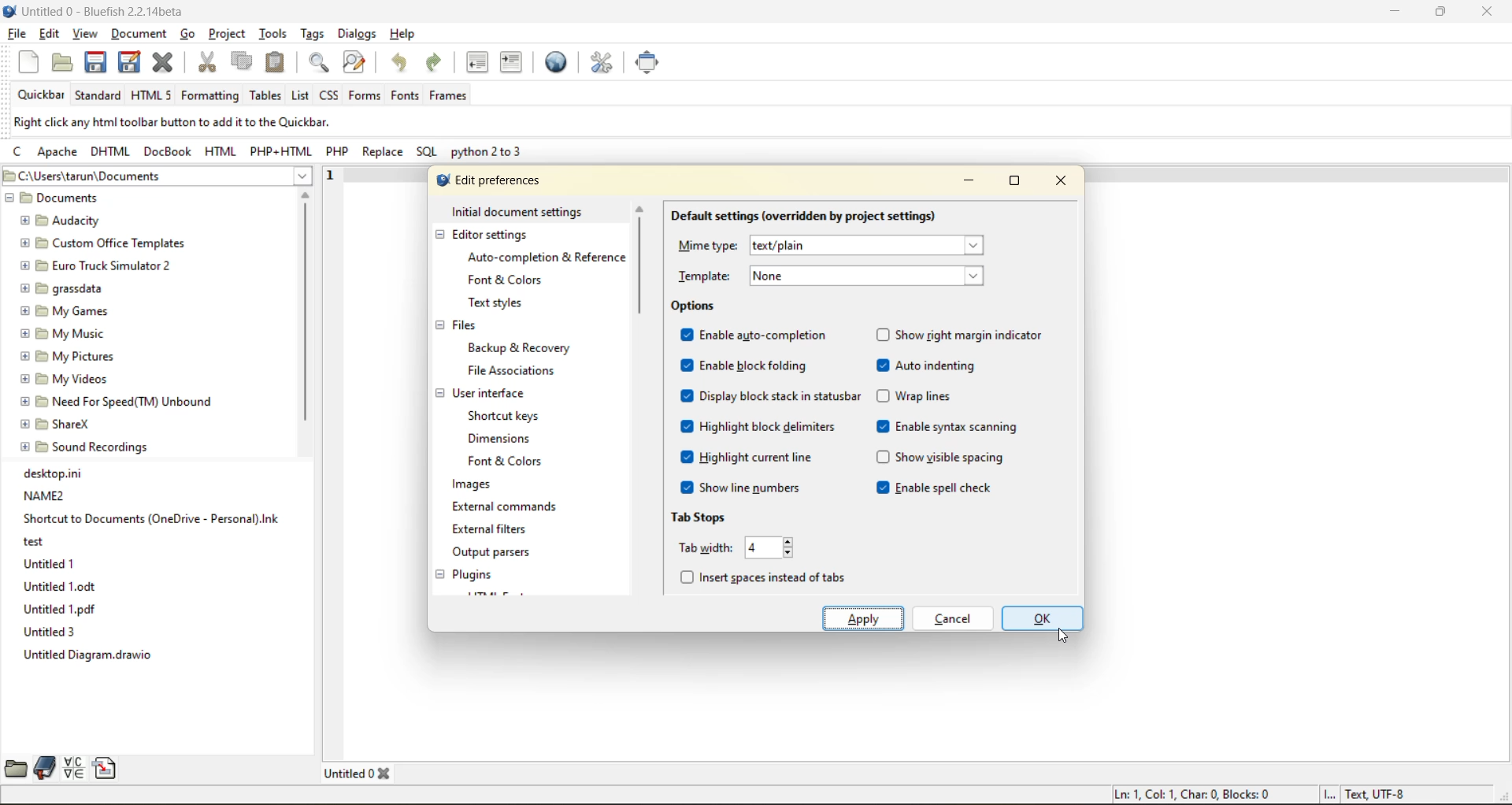 This screenshot has height=805, width=1512. Describe the element at coordinates (523, 349) in the screenshot. I see `backup and recovery` at that location.